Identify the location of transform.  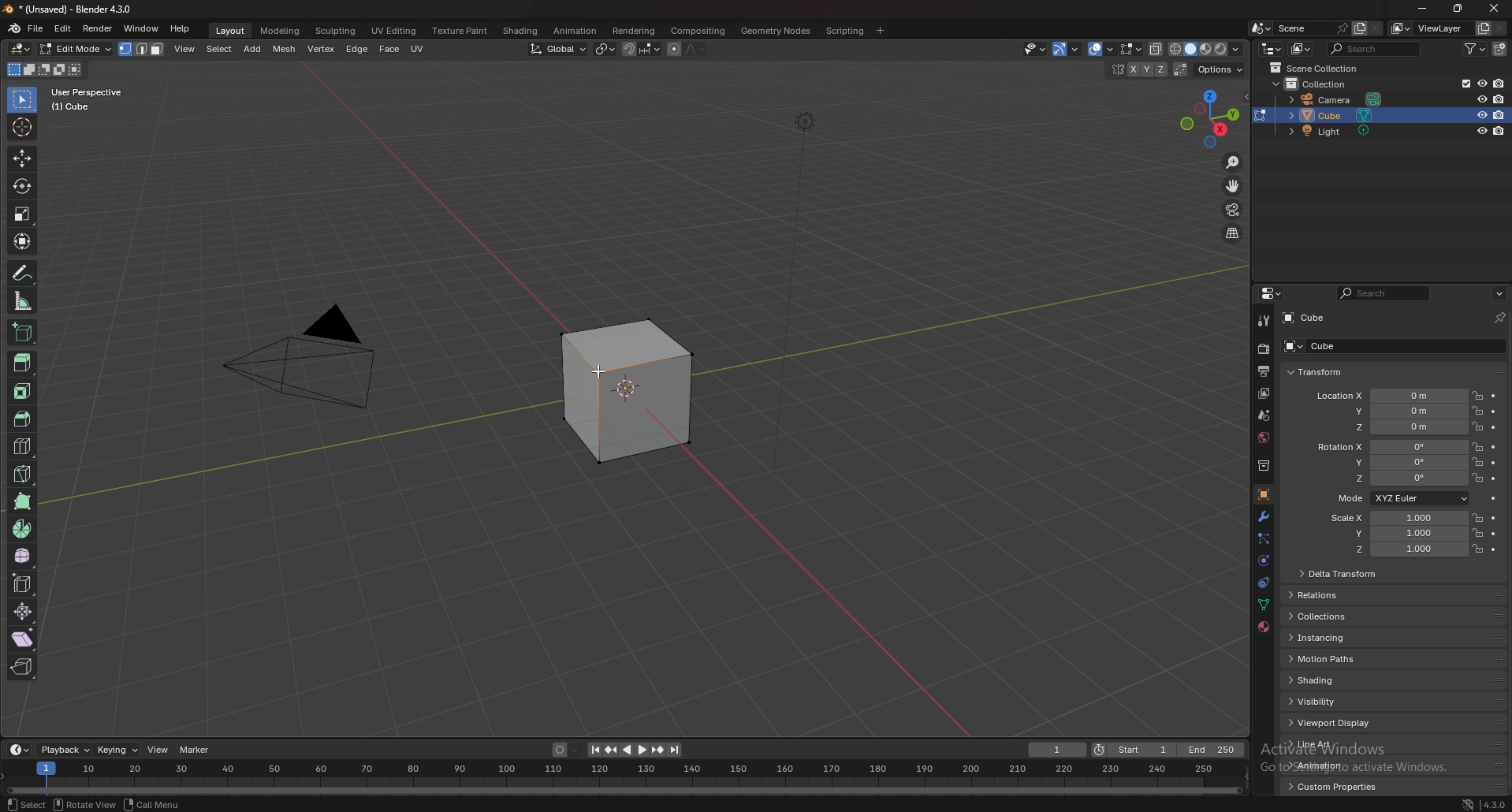
(1320, 372).